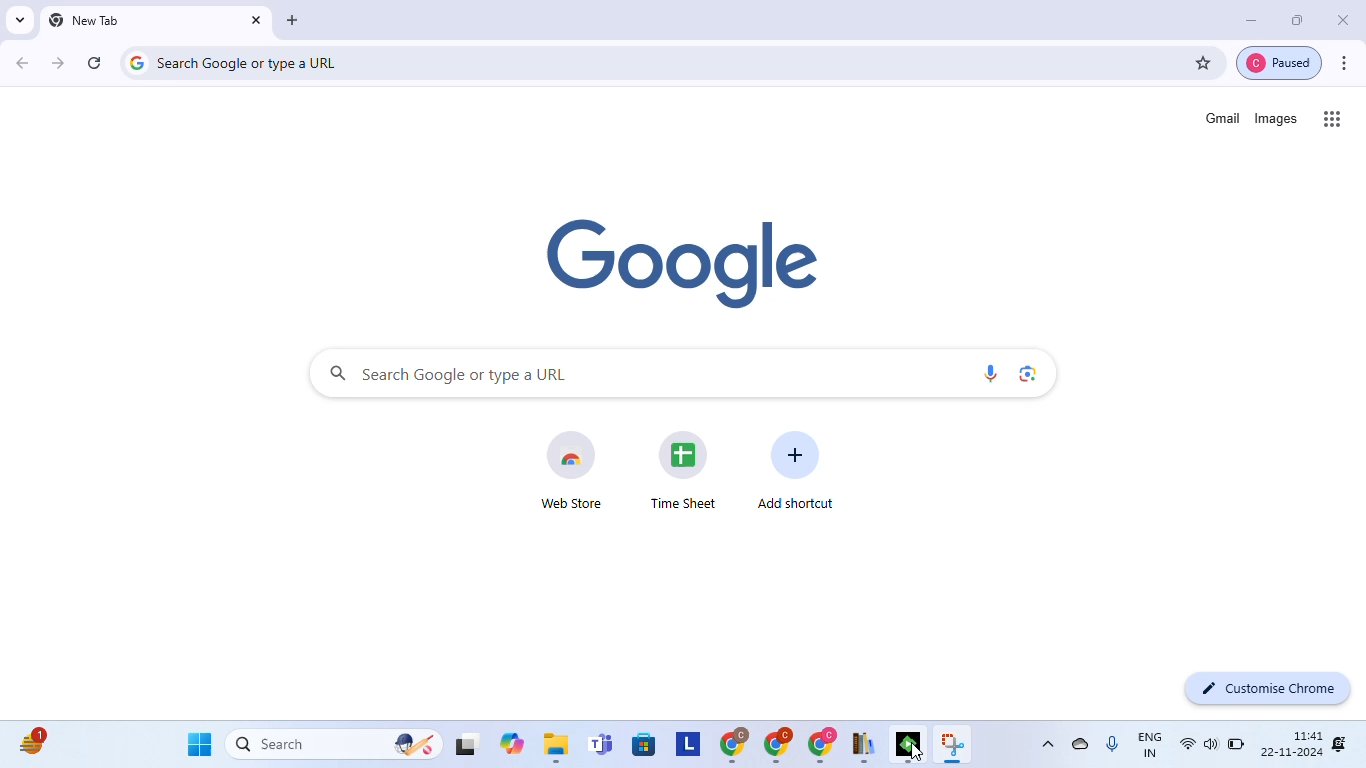 Image resolution: width=1366 pixels, height=768 pixels. I want to click on google, so click(680, 262).